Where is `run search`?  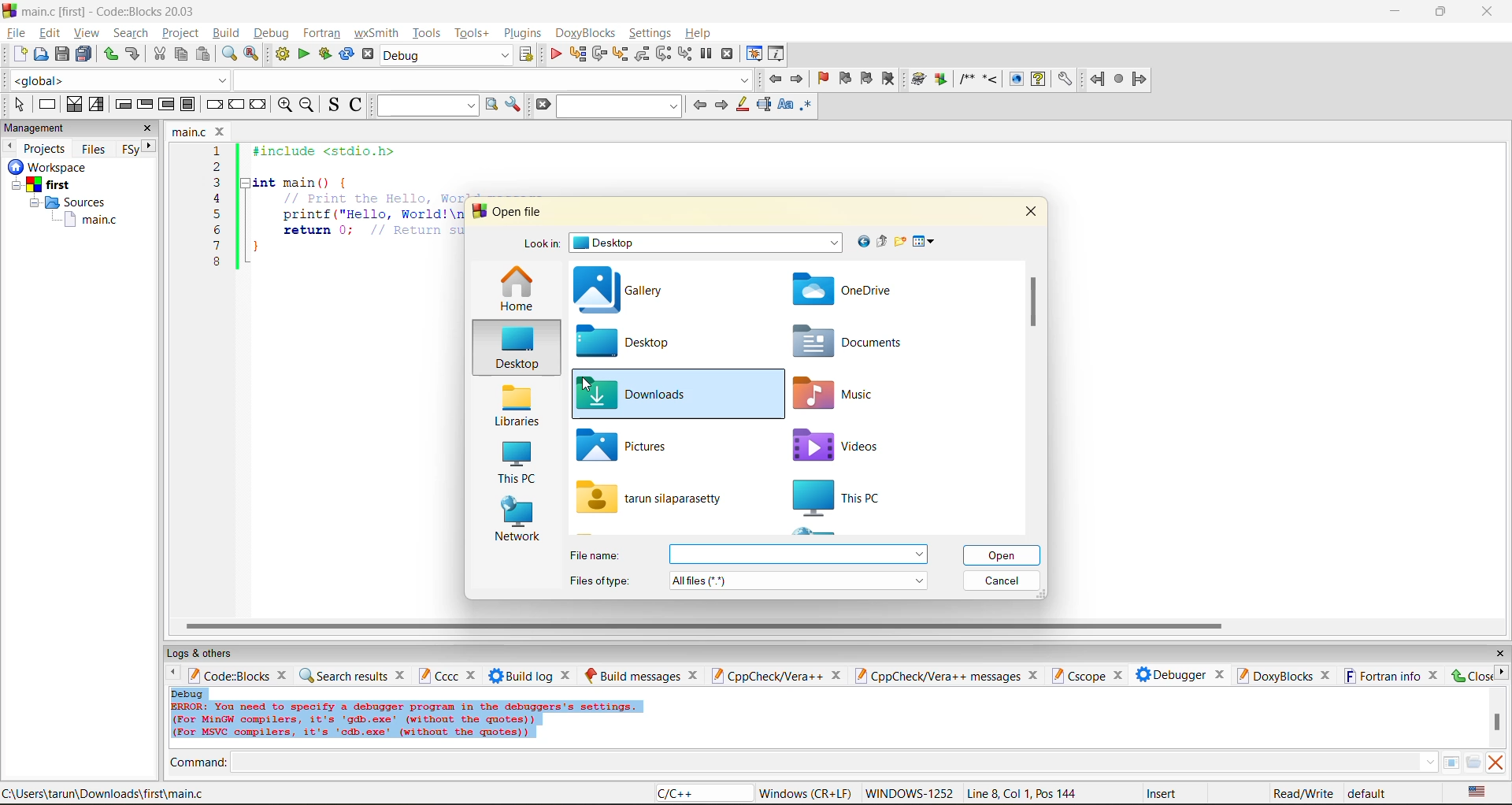
run search is located at coordinates (491, 105).